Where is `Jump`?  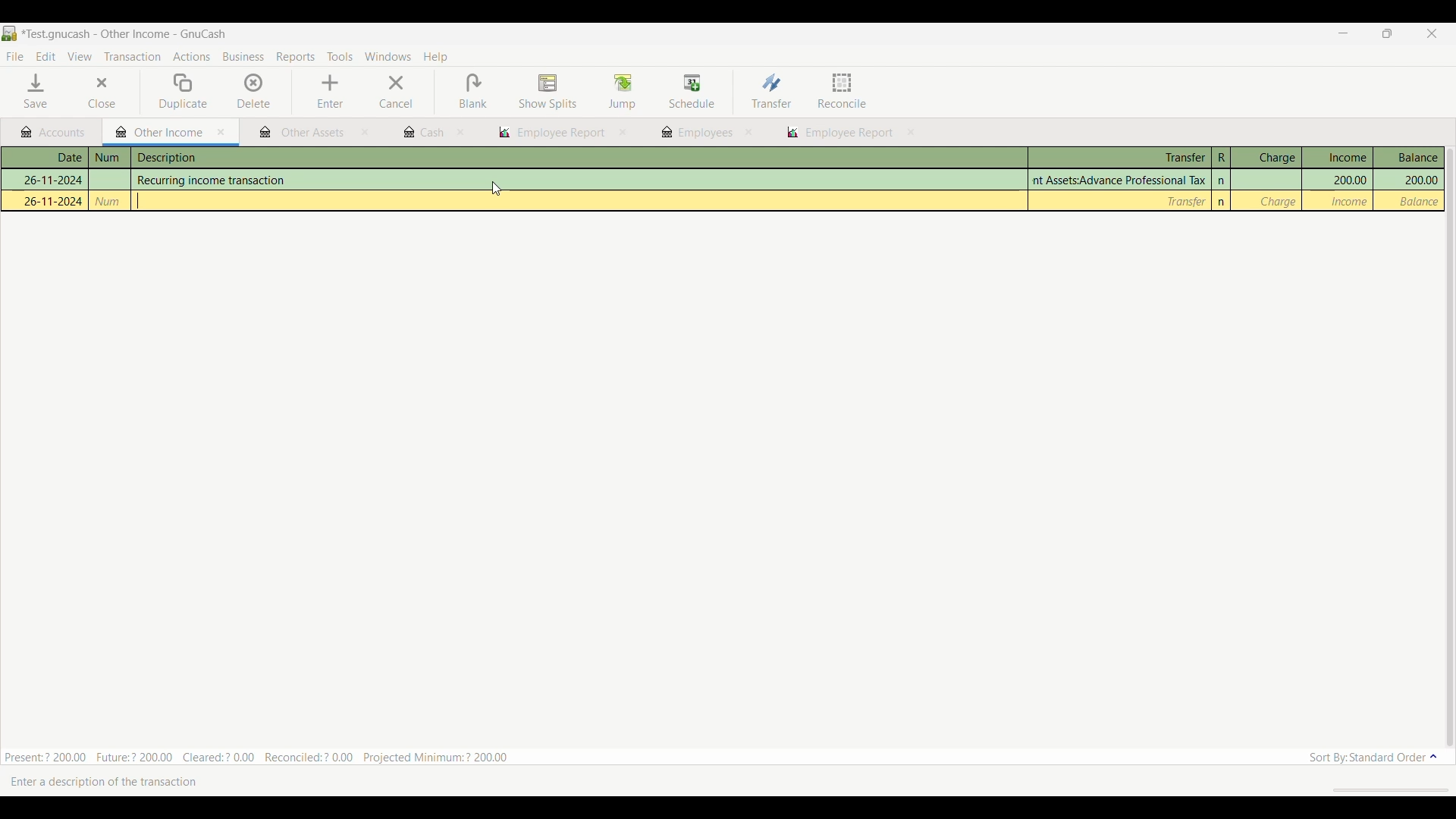
Jump is located at coordinates (622, 91).